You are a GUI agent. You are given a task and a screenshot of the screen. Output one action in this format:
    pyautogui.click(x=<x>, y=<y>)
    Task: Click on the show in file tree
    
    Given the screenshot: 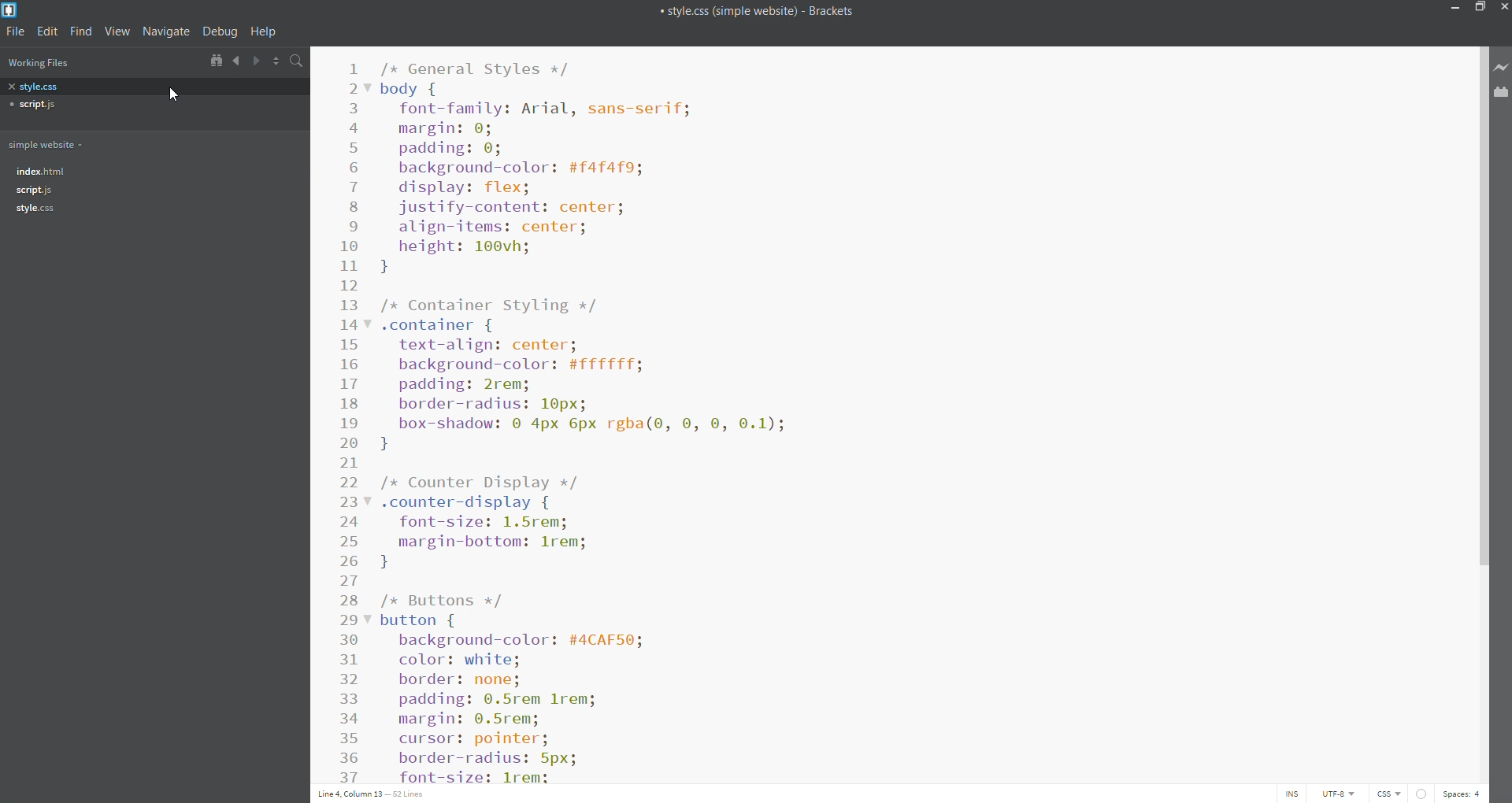 What is the action you would take?
    pyautogui.click(x=216, y=61)
    